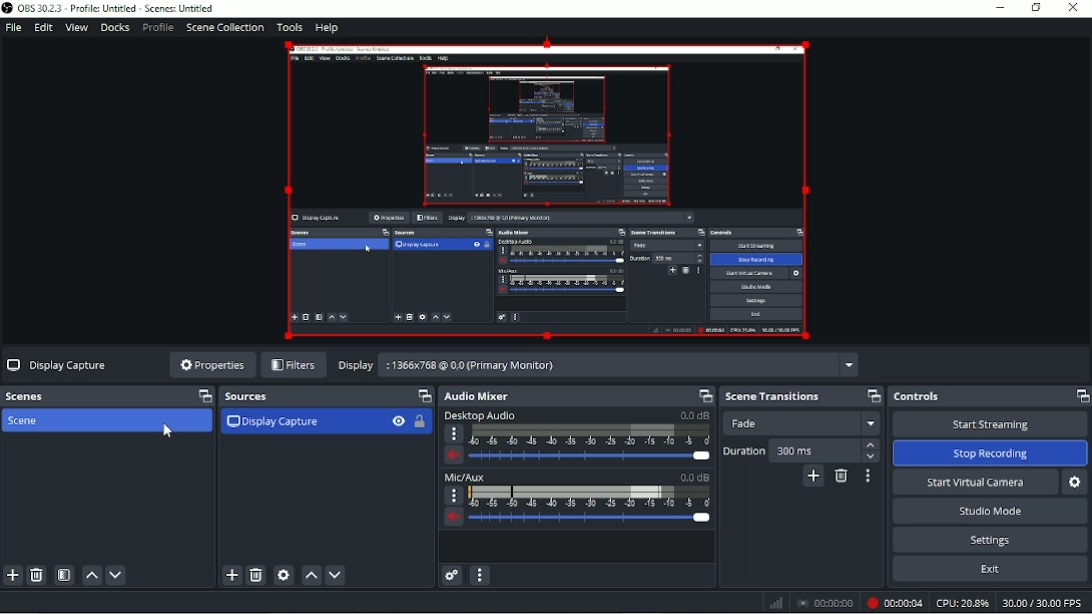 Image resolution: width=1092 pixels, height=614 pixels. What do you see at coordinates (14, 28) in the screenshot?
I see `File` at bounding box center [14, 28].